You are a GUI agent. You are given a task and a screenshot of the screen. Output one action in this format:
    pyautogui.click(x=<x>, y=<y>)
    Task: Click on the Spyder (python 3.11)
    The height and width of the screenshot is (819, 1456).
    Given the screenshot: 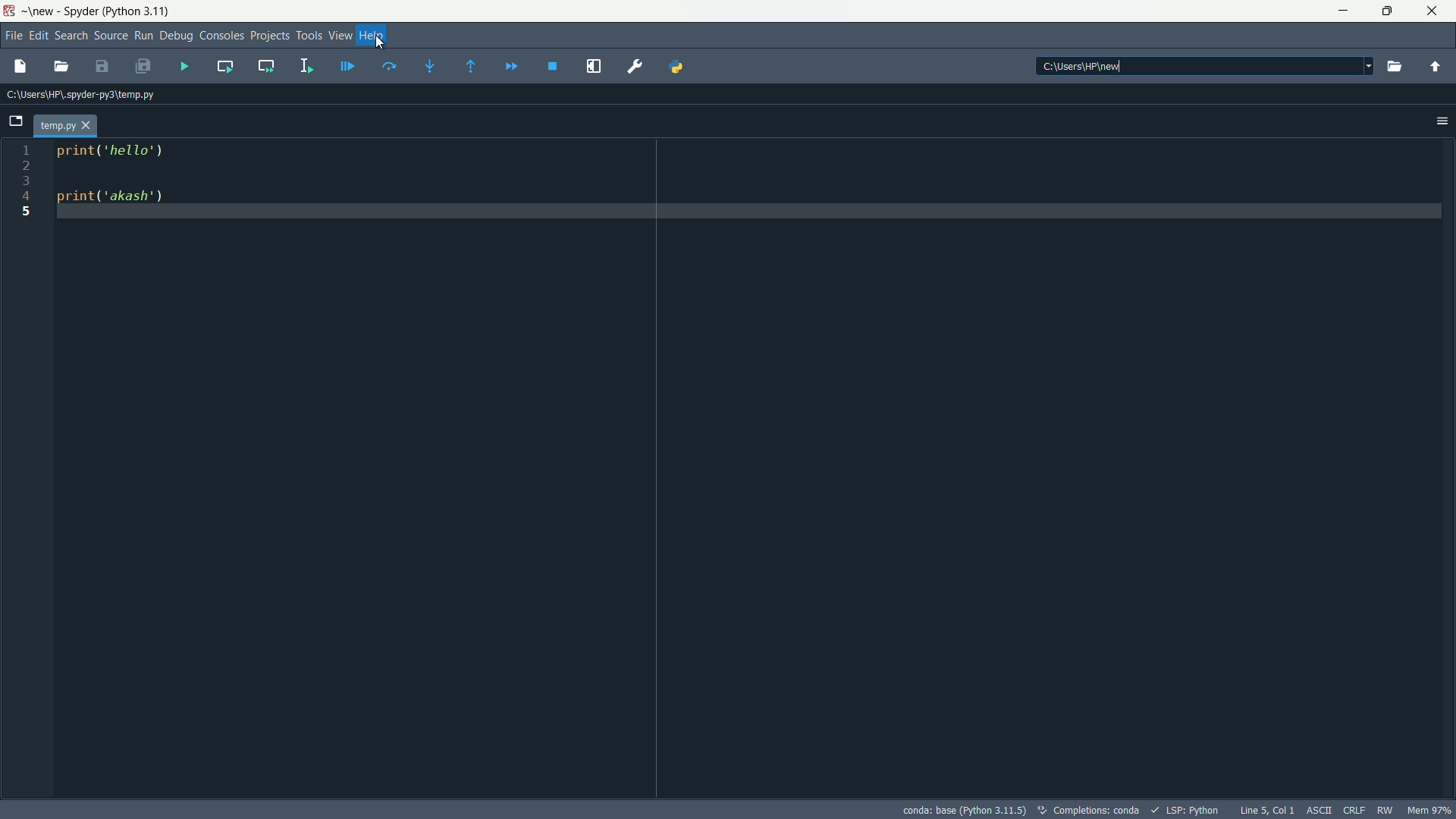 What is the action you would take?
    pyautogui.click(x=121, y=11)
    